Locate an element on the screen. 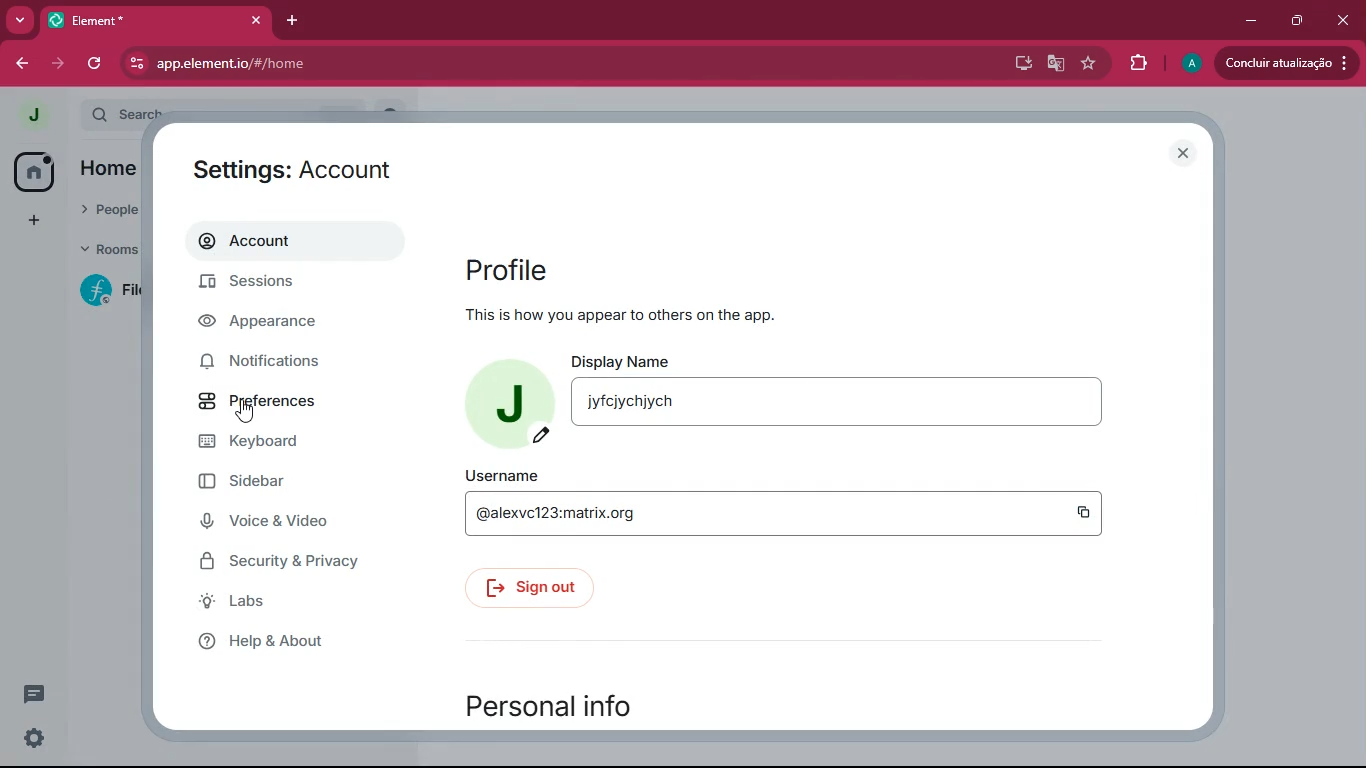 This screenshot has height=768, width=1366. close is located at coordinates (256, 19).